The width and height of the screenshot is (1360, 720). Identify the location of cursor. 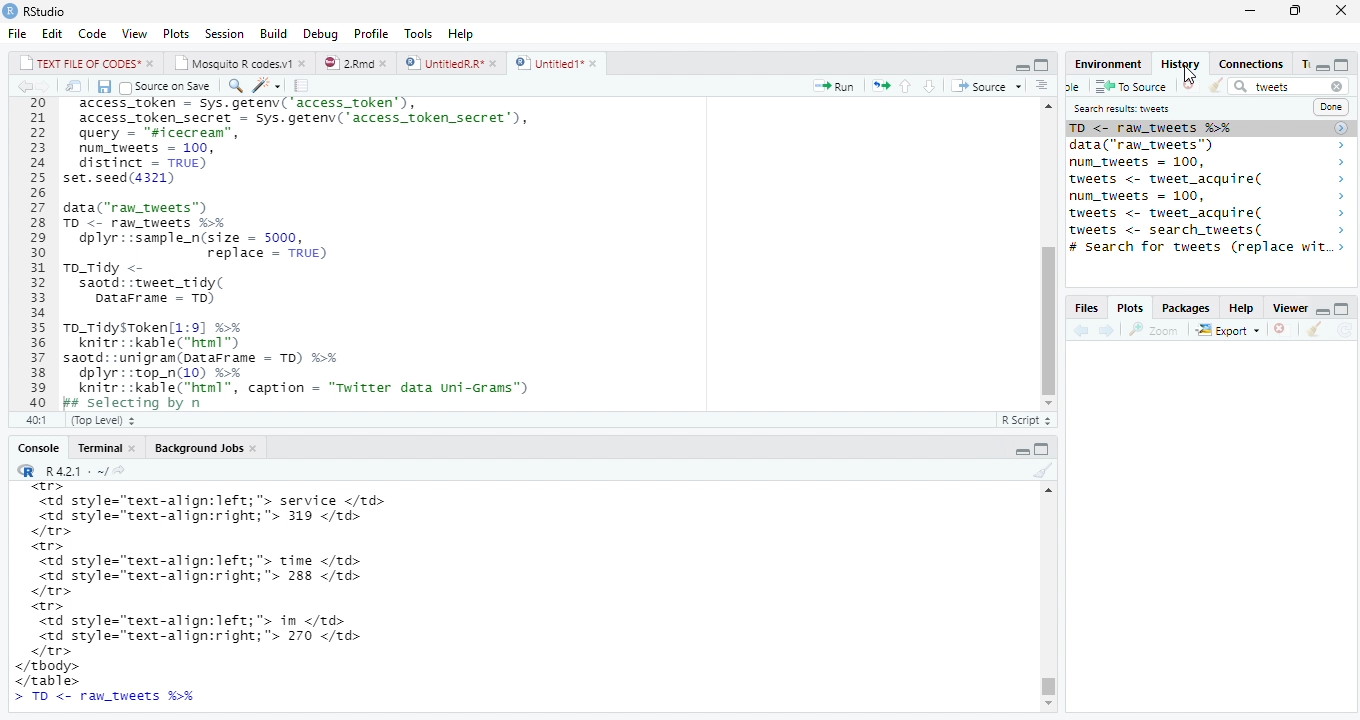
(1189, 76).